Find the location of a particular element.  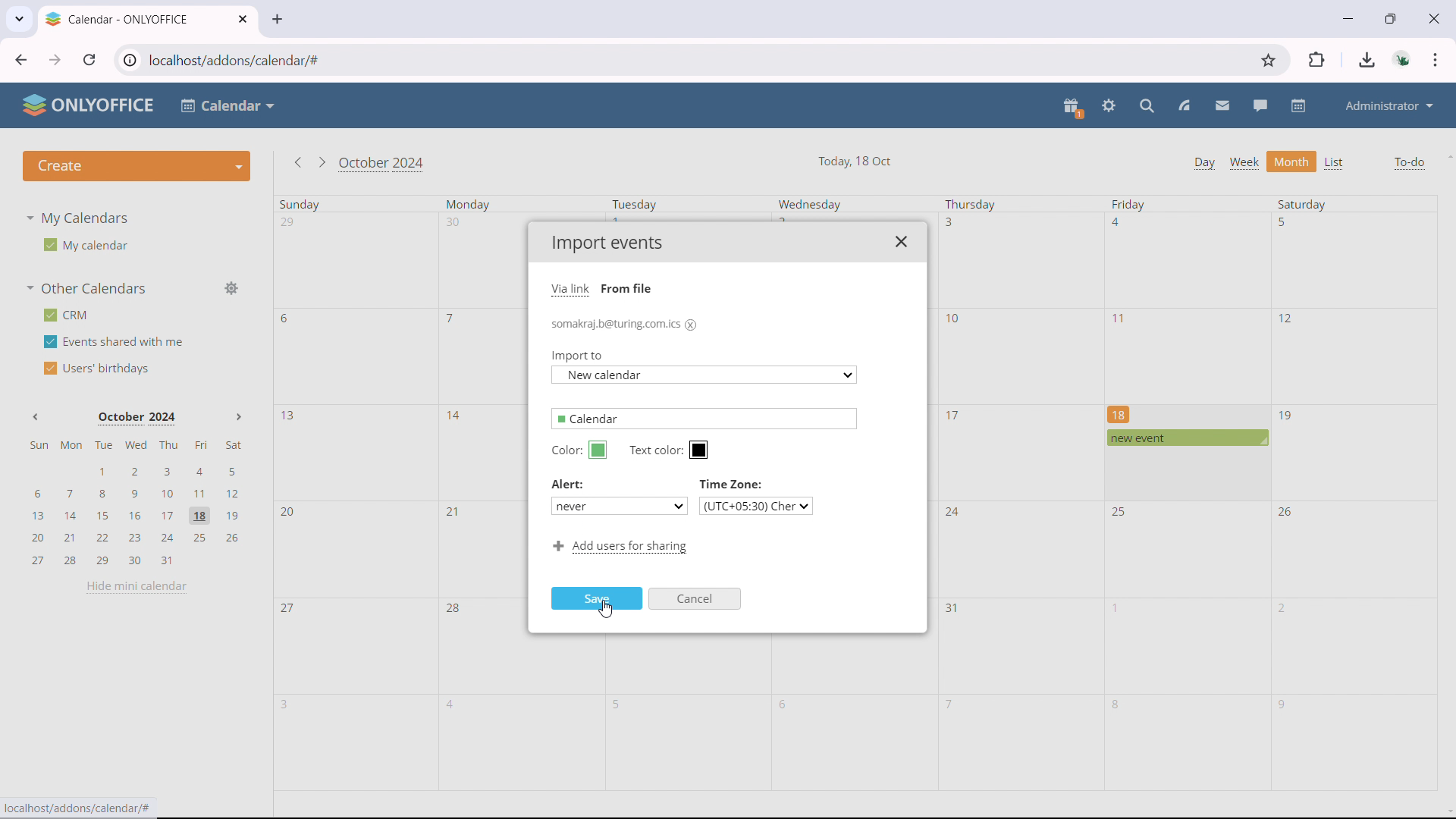

other calendars is located at coordinates (87, 289).